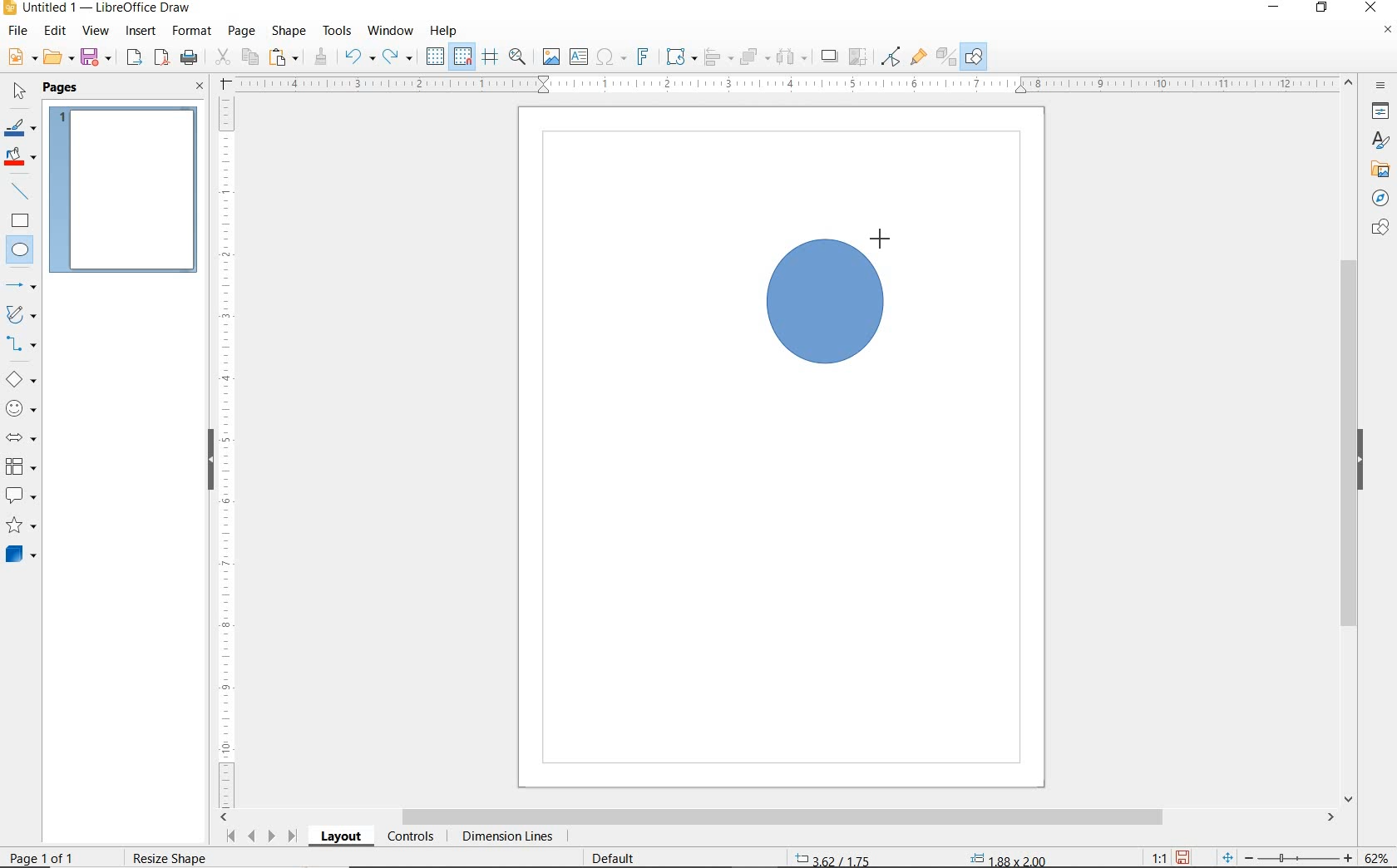  Describe the element at coordinates (20, 57) in the screenshot. I see `NEW` at that location.